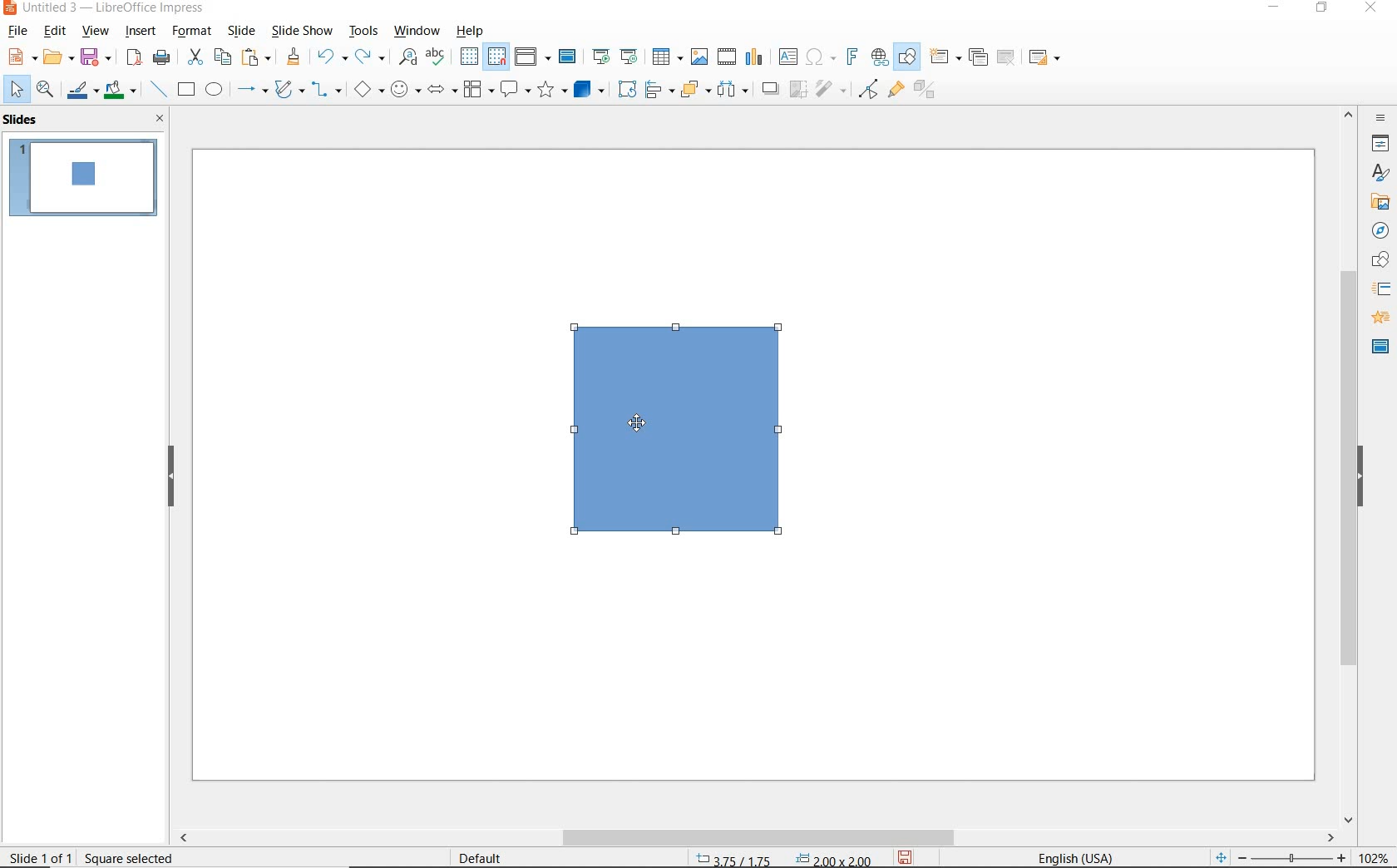 The width and height of the screenshot is (1397, 868). Describe the element at coordinates (438, 60) in the screenshot. I see `spelling` at that location.